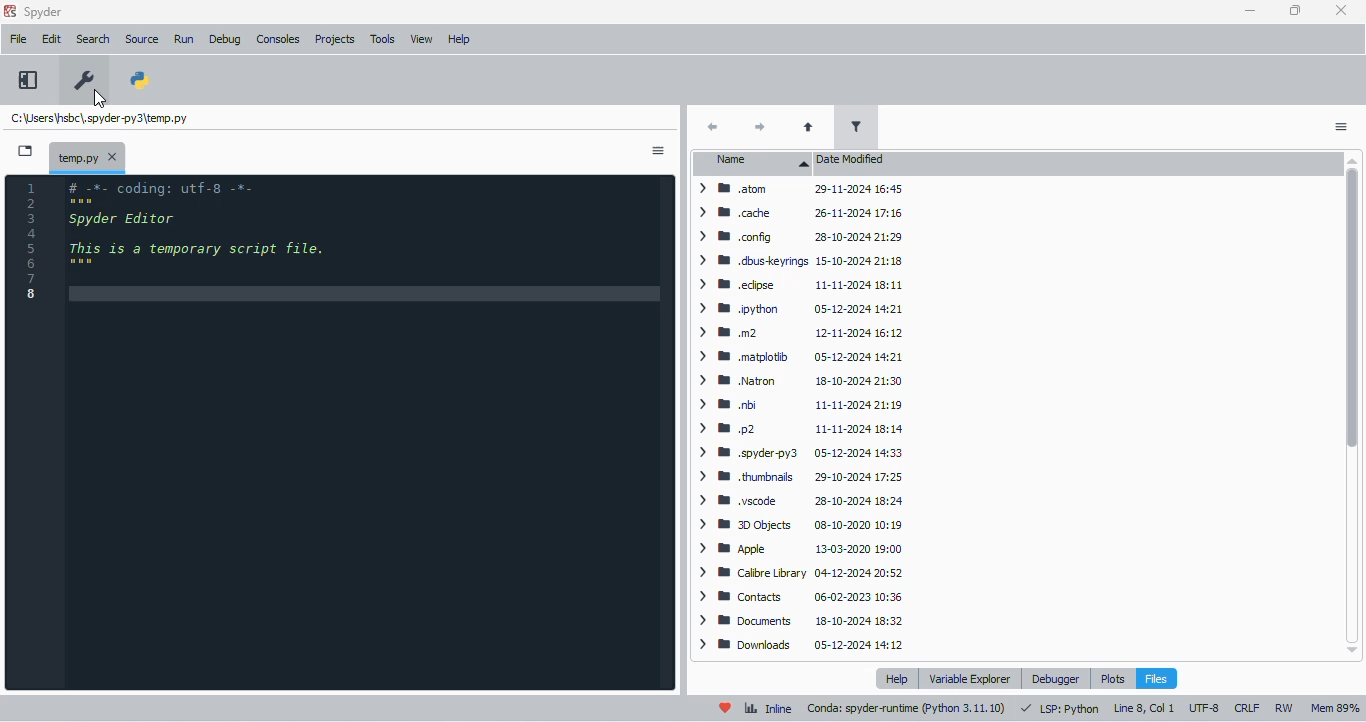  I want to click on maximize, so click(1296, 10).